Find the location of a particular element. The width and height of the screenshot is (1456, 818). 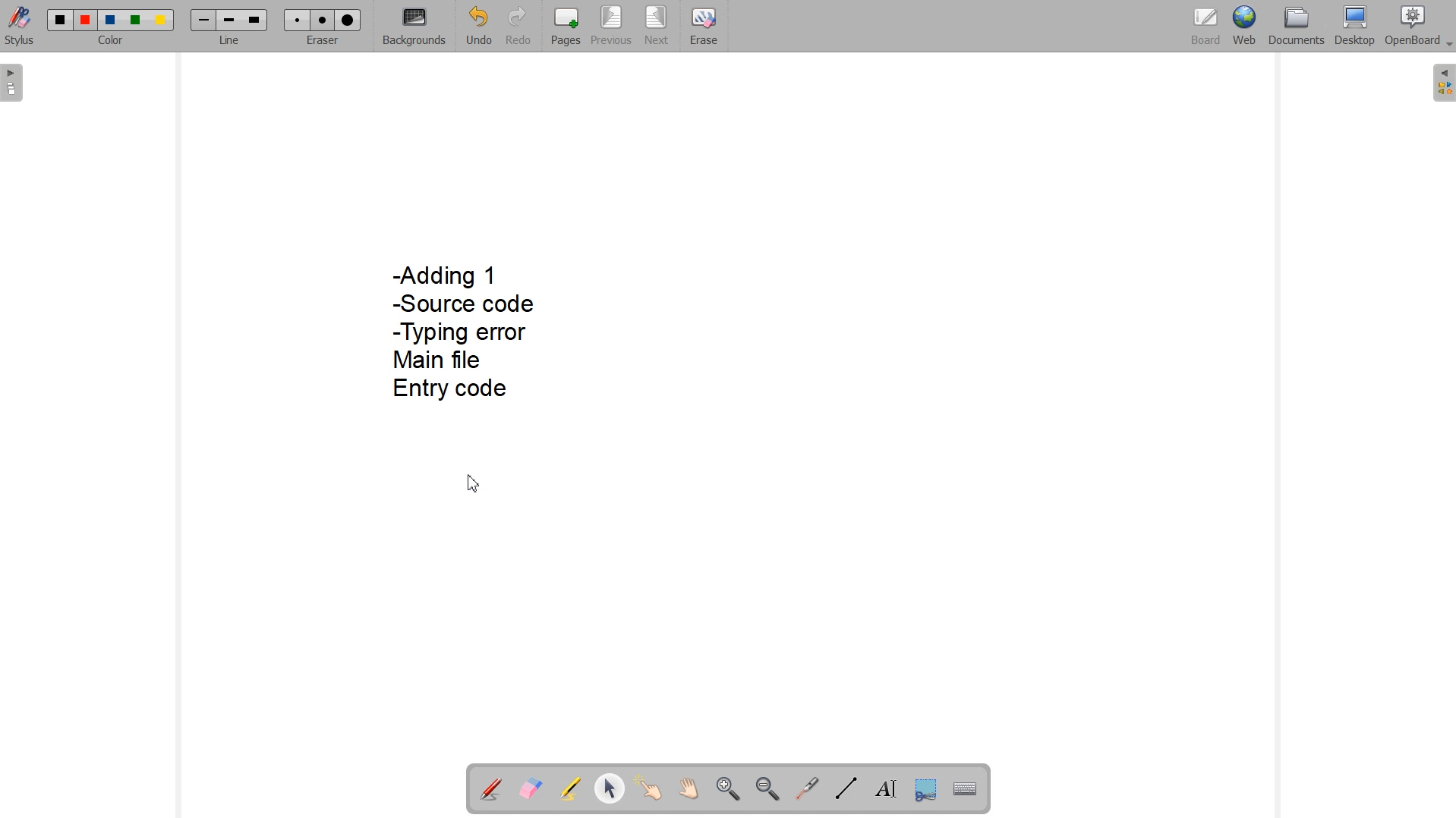

Zoom out is located at coordinates (767, 788).